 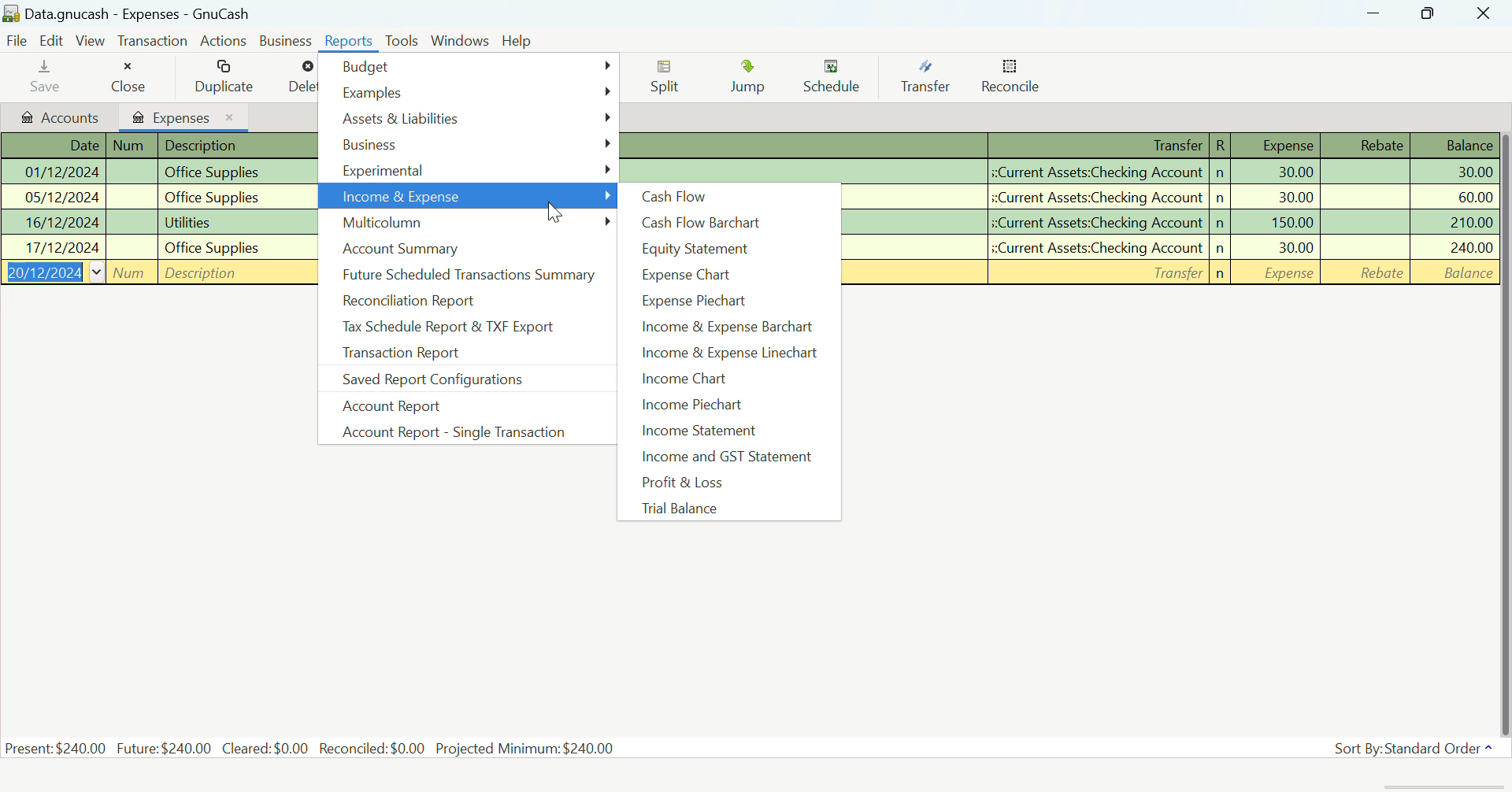 What do you see at coordinates (524, 747) in the screenshot?
I see `Projected` at bounding box center [524, 747].